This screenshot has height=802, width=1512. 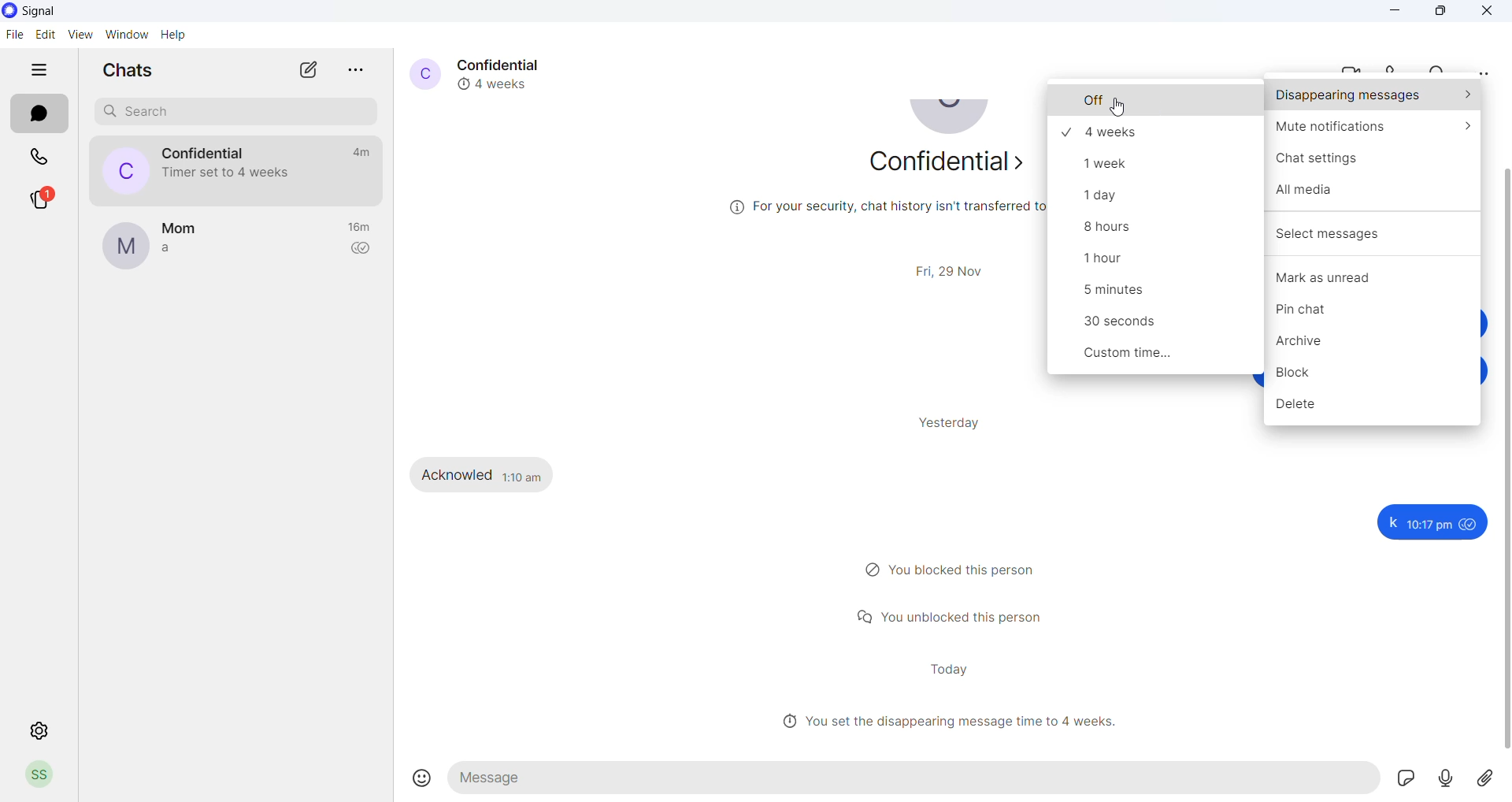 What do you see at coordinates (1369, 313) in the screenshot?
I see `pin chat` at bounding box center [1369, 313].